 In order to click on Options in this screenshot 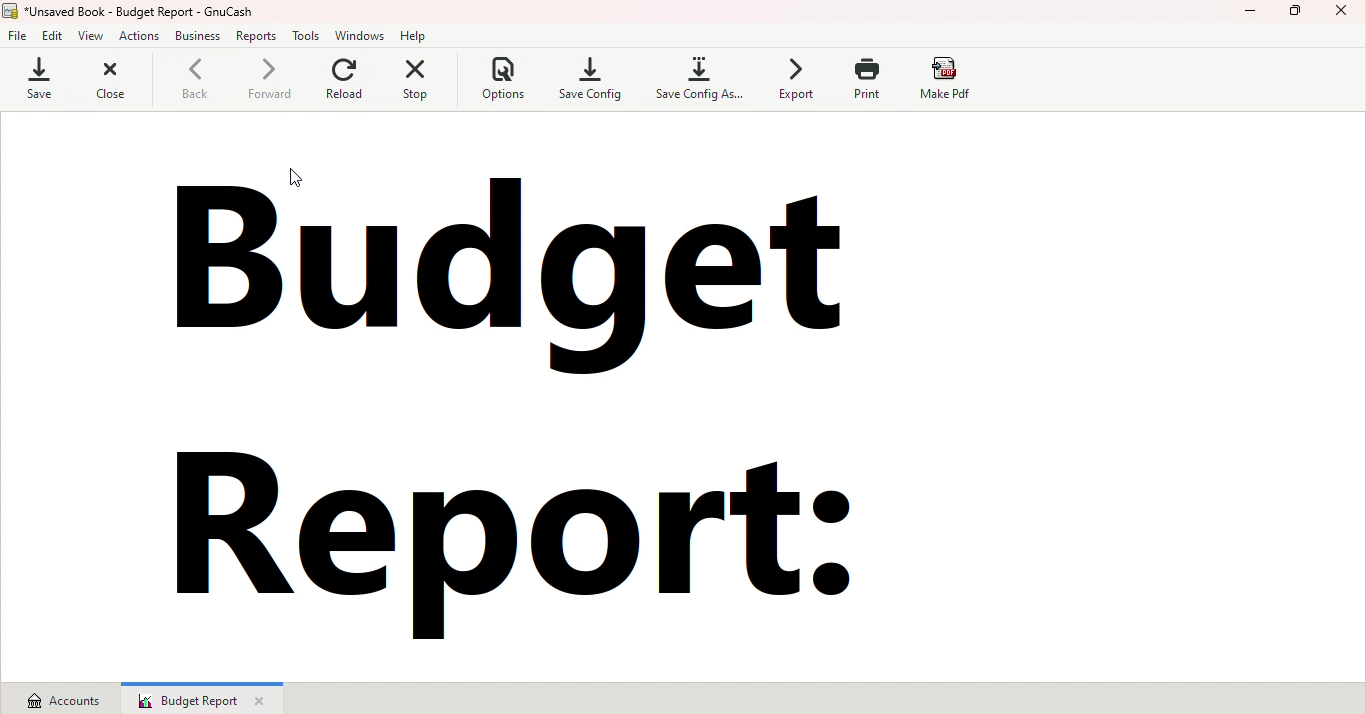, I will do `click(498, 82)`.